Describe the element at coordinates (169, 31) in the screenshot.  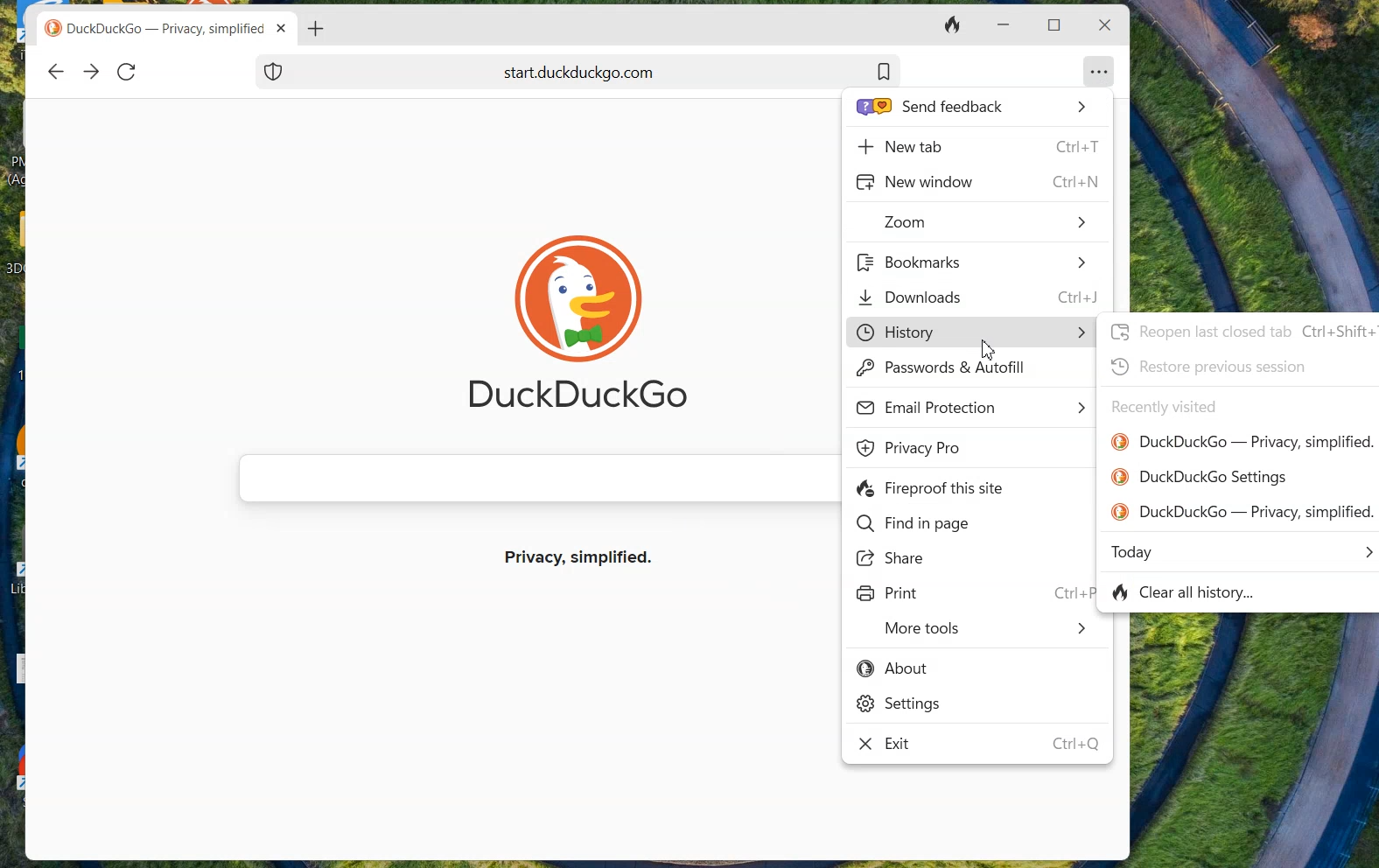
I see `DuckDuckGo — Privacy, simplified` at that location.